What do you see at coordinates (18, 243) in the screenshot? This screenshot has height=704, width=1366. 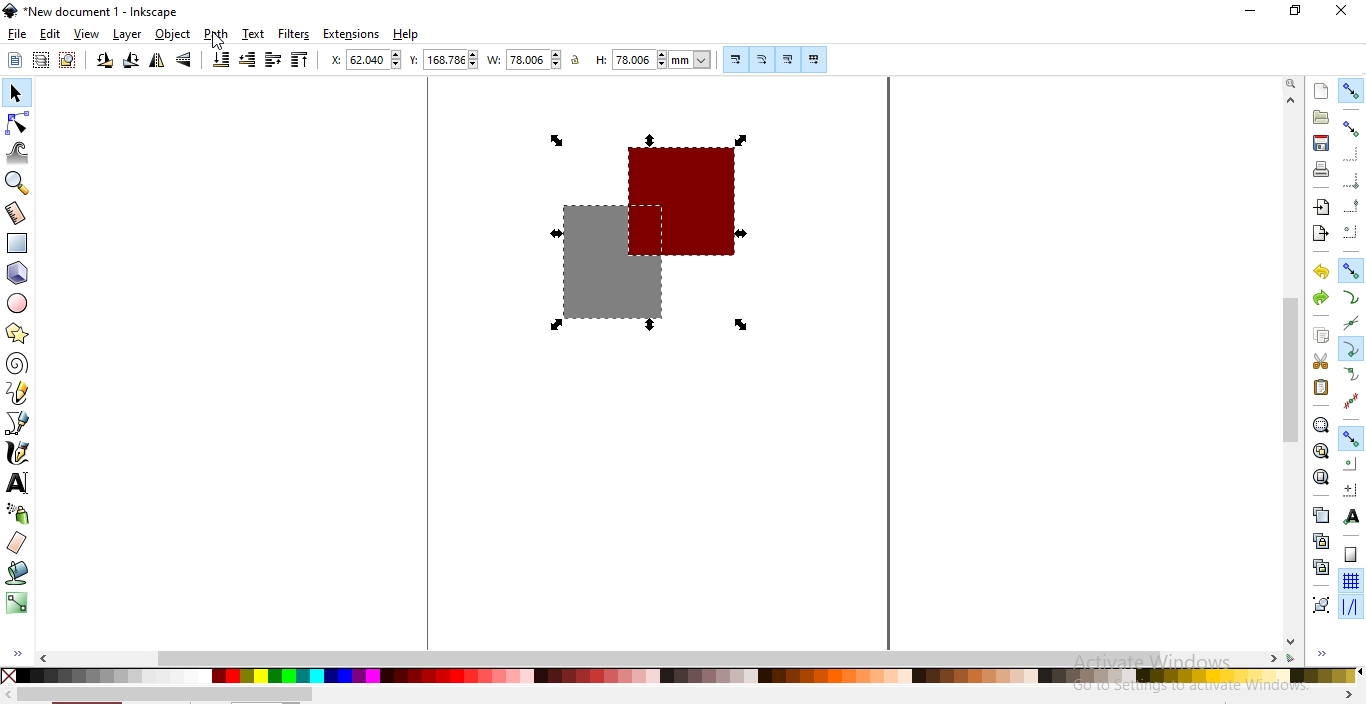 I see `create rectangle and squares` at bounding box center [18, 243].